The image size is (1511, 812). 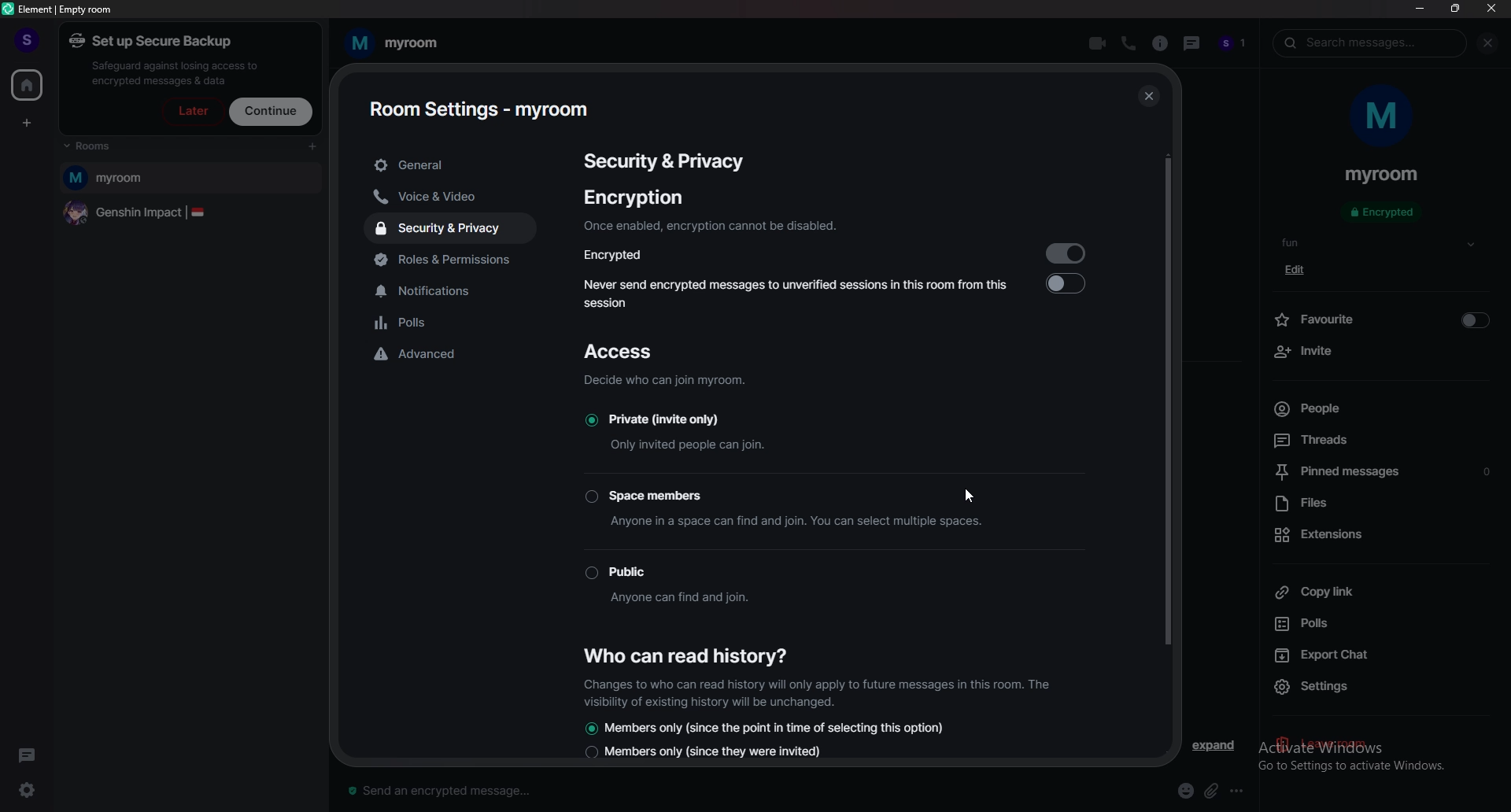 What do you see at coordinates (464, 262) in the screenshot?
I see `roles and permissions` at bounding box center [464, 262].